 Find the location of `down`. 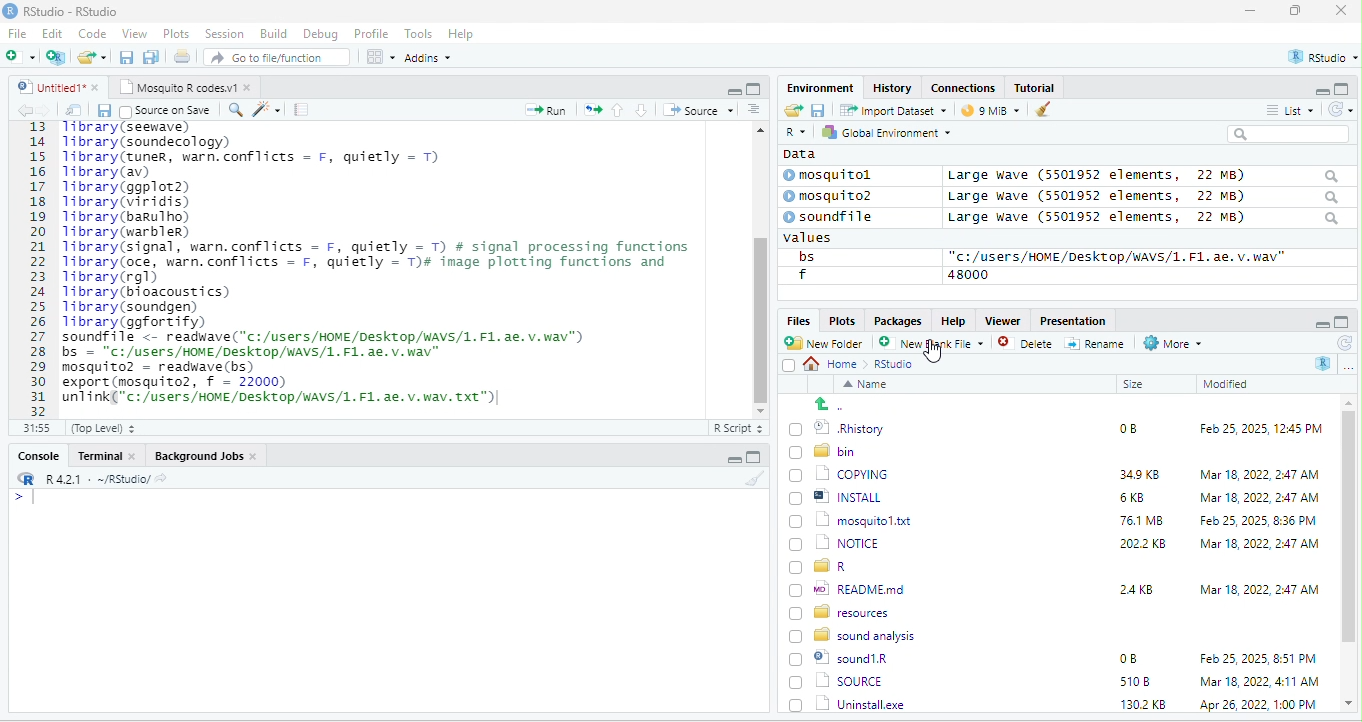

down is located at coordinates (642, 109).